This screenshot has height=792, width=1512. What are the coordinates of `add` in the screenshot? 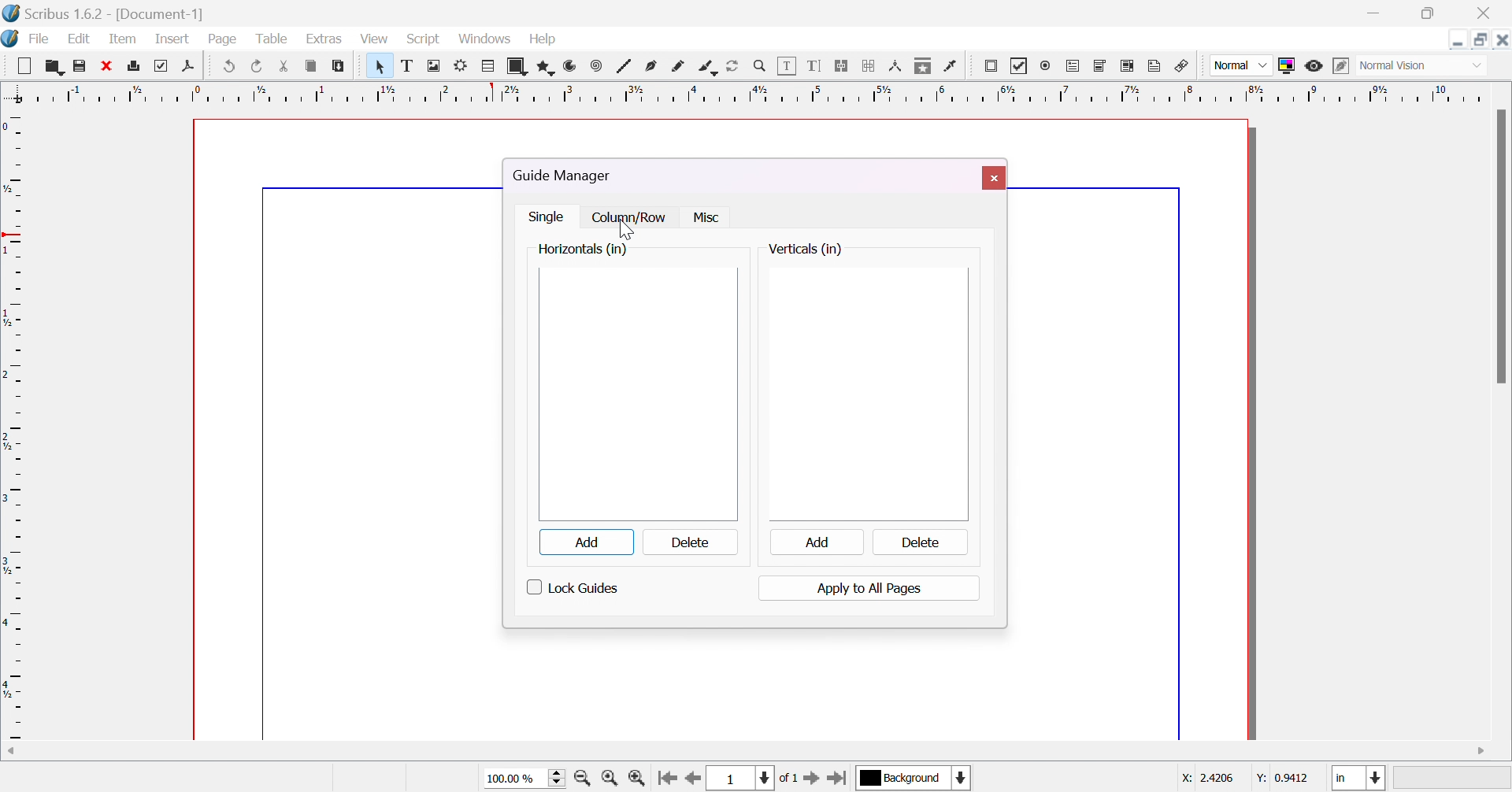 It's located at (825, 542).